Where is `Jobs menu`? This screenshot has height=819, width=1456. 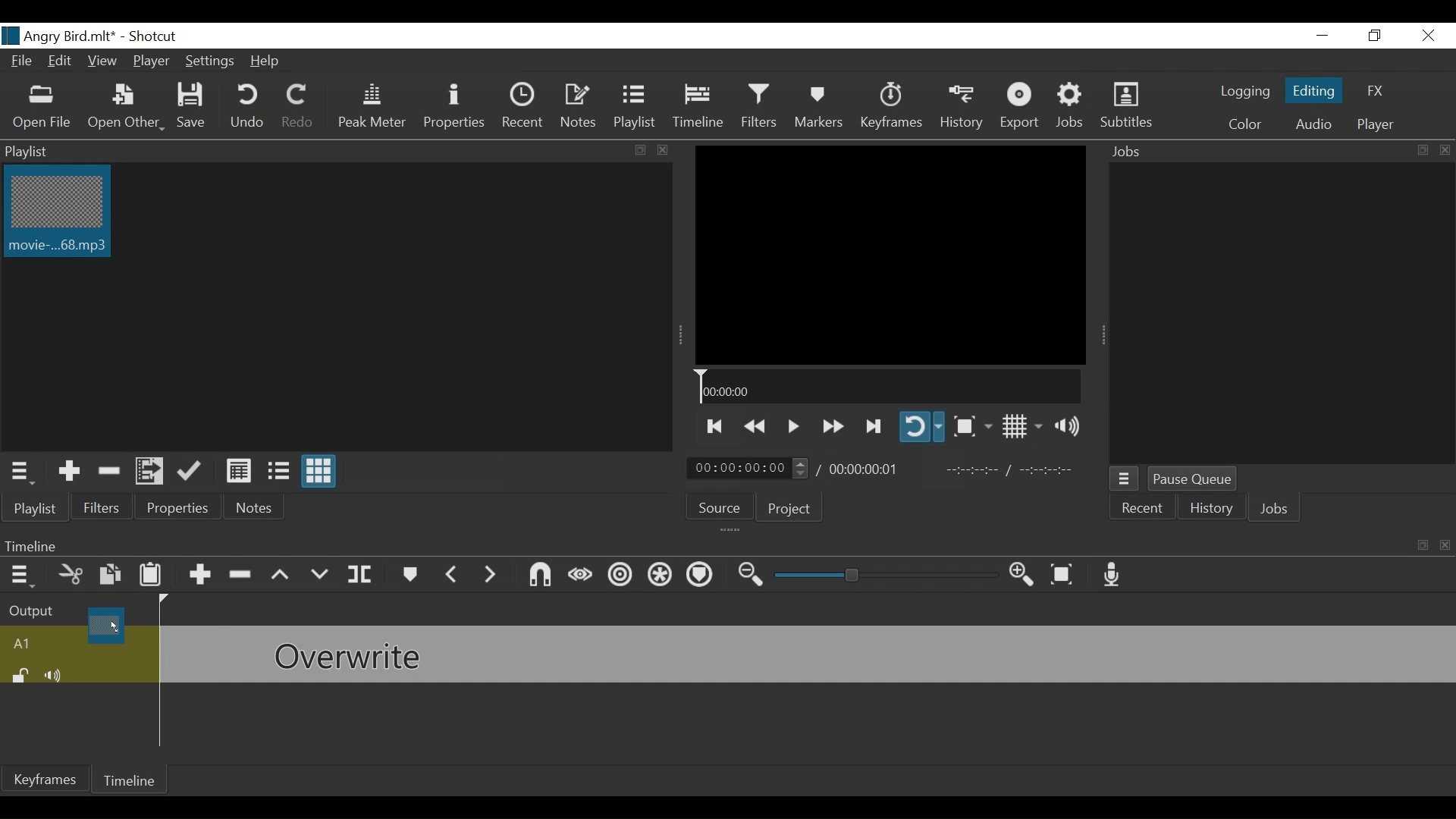 Jobs menu is located at coordinates (1125, 479).